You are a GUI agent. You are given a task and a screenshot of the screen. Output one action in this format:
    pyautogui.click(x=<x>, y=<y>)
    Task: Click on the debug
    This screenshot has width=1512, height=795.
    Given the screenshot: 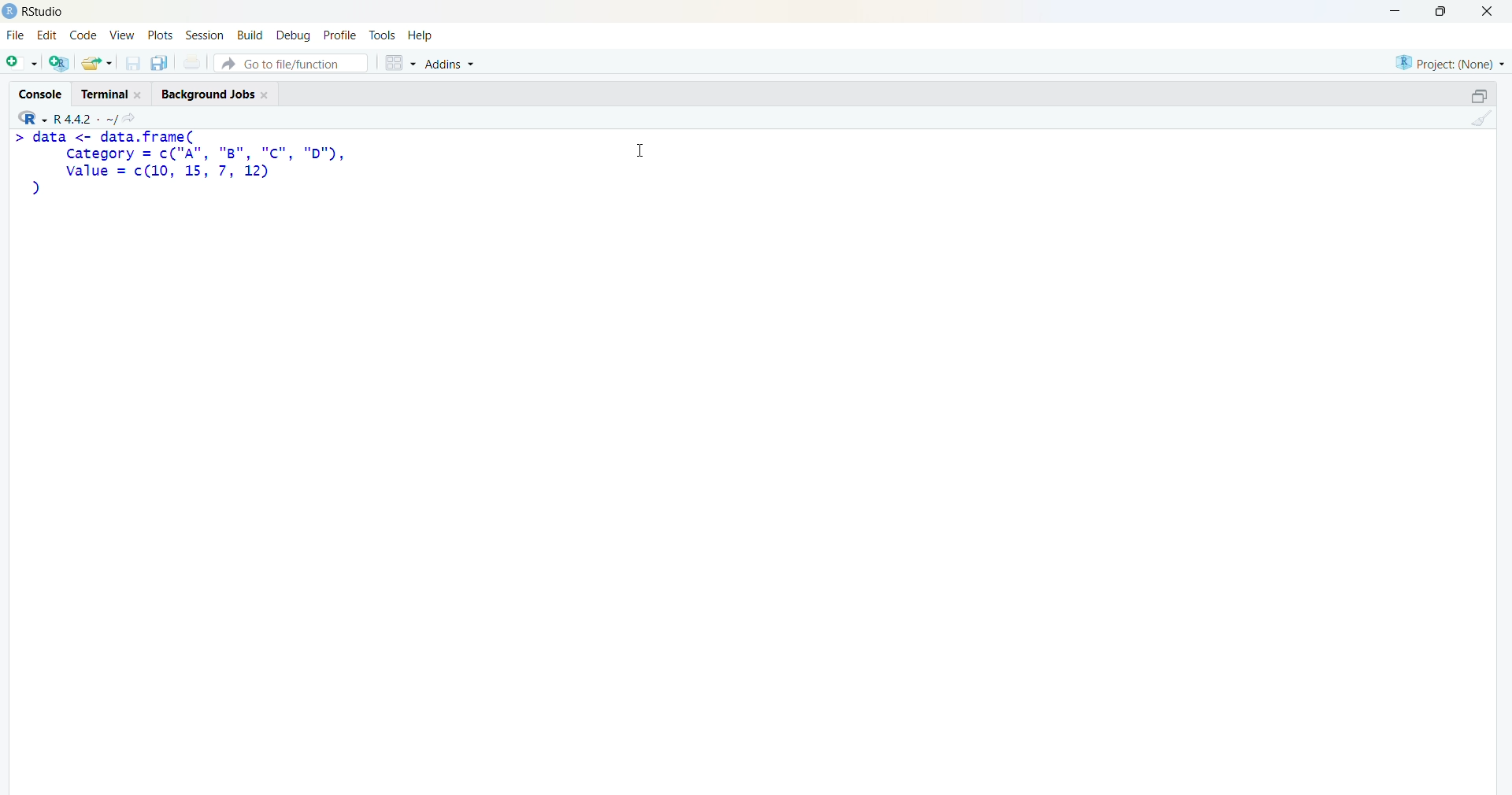 What is the action you would take?
    pyautogui.click(x=294, y=35)
    